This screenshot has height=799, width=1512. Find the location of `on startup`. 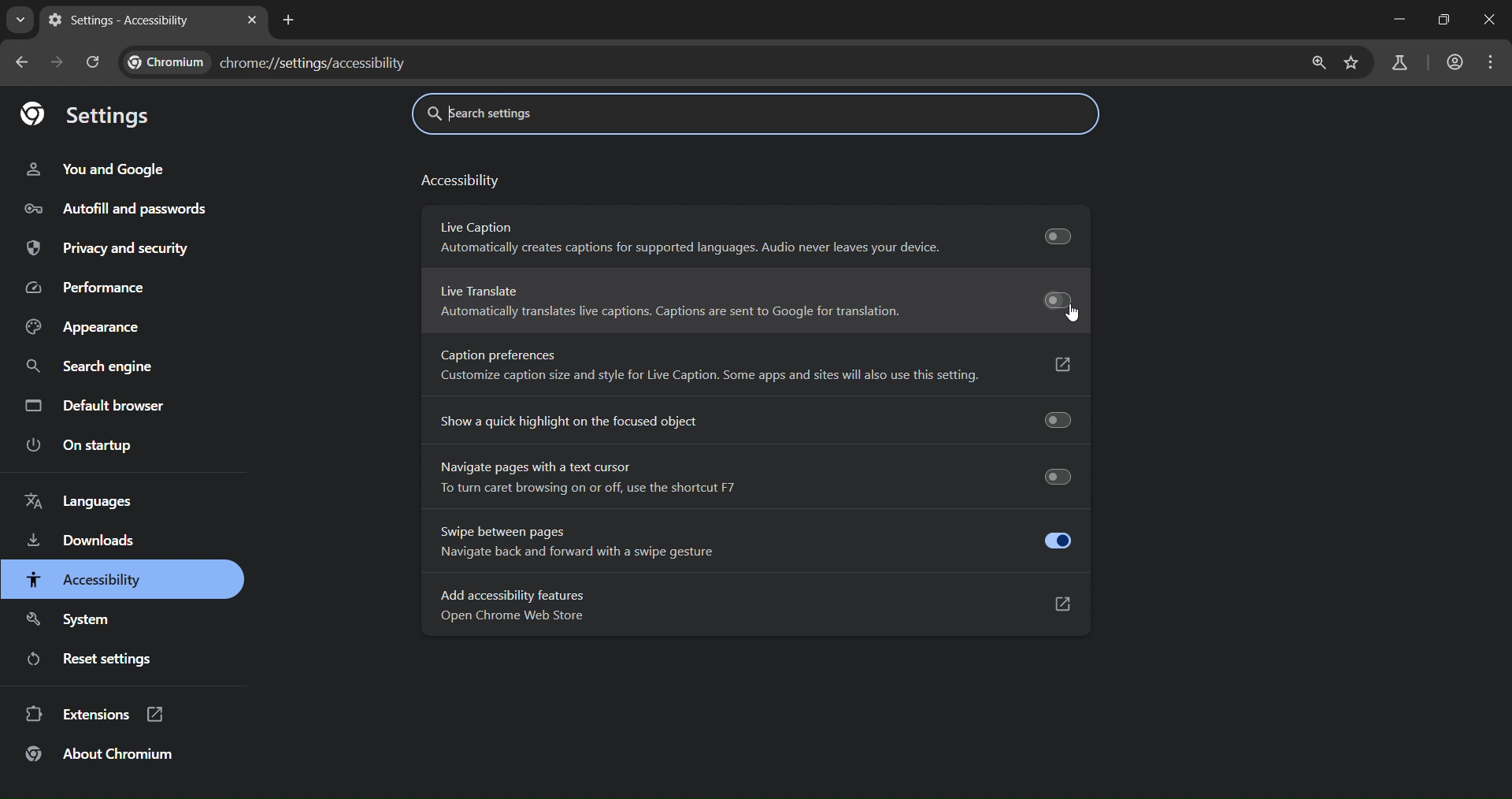

on startup is located at coordinates (81, 444).